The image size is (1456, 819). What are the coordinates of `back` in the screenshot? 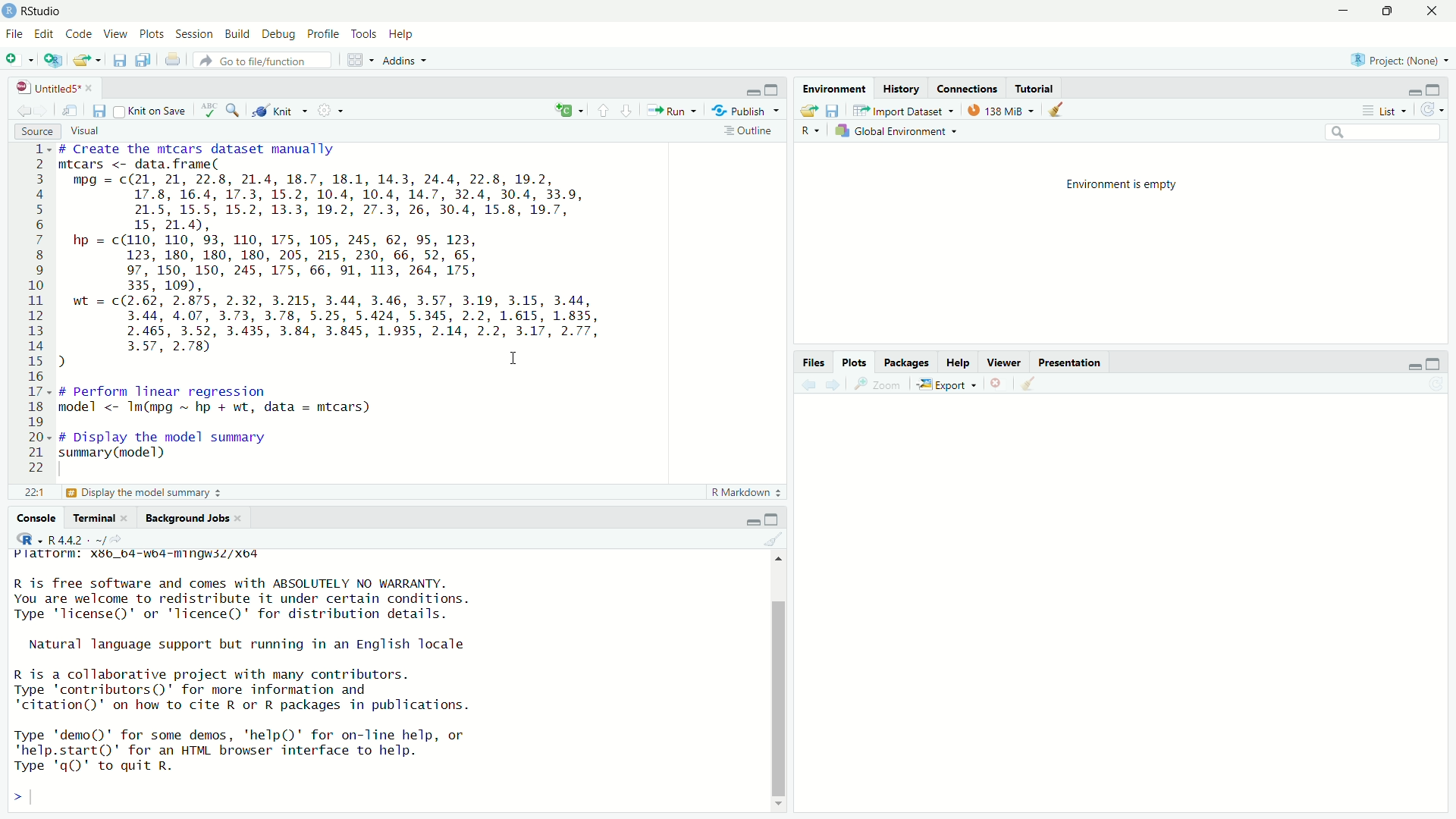 It's located at (812, 384).